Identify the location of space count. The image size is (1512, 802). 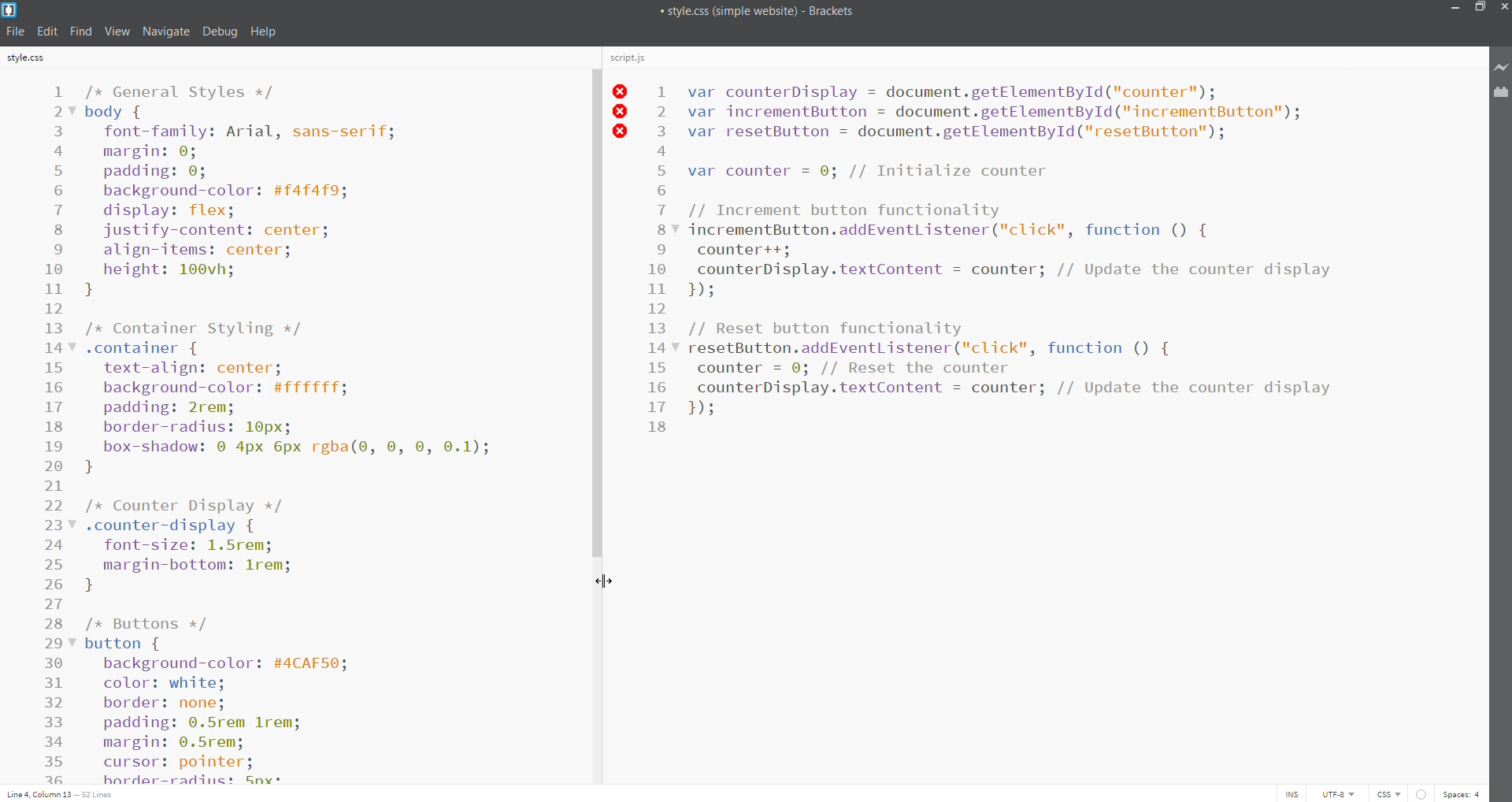
(1464, 795).